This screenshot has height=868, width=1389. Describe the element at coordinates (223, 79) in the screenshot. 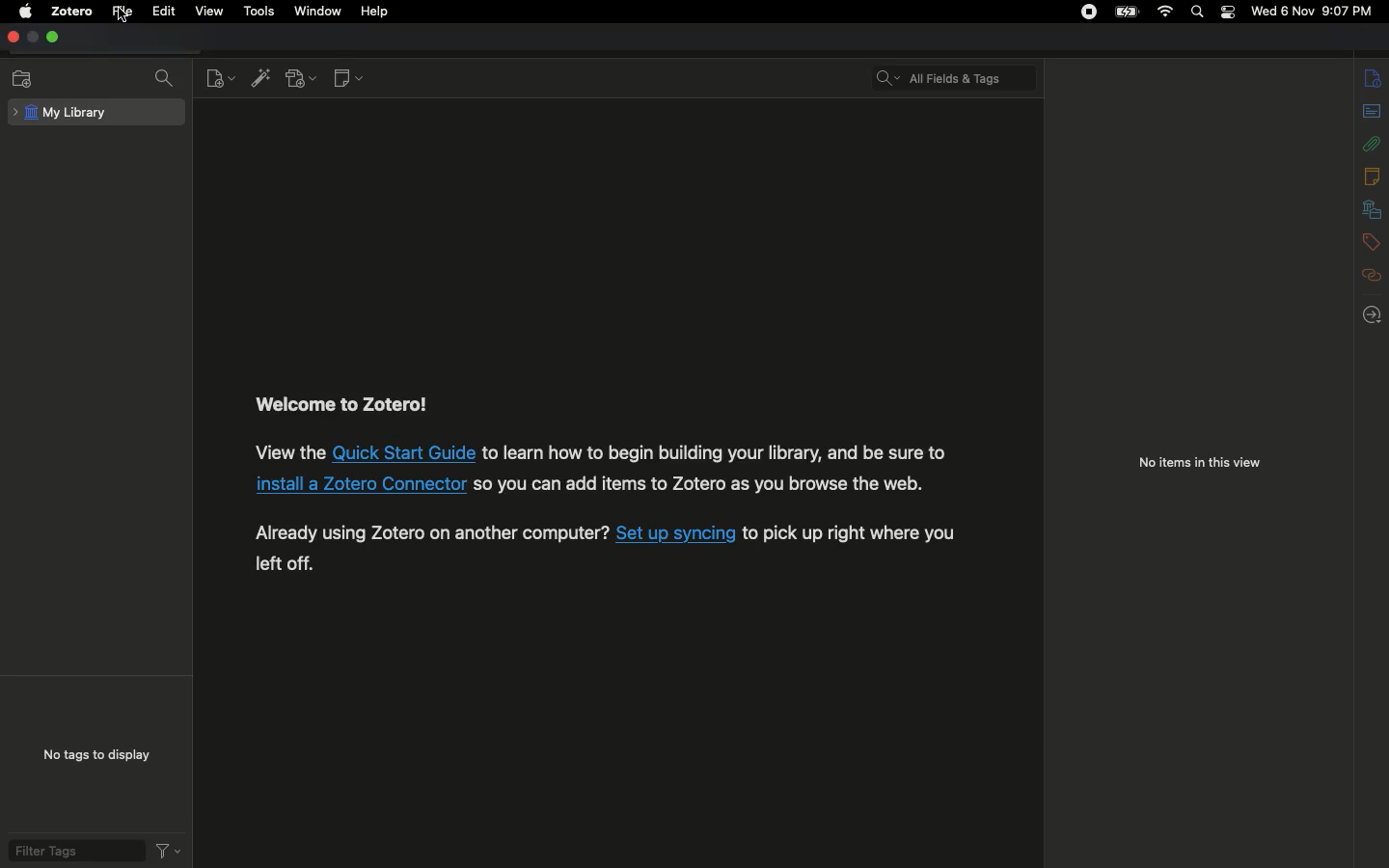

I see `New item ` at that location.